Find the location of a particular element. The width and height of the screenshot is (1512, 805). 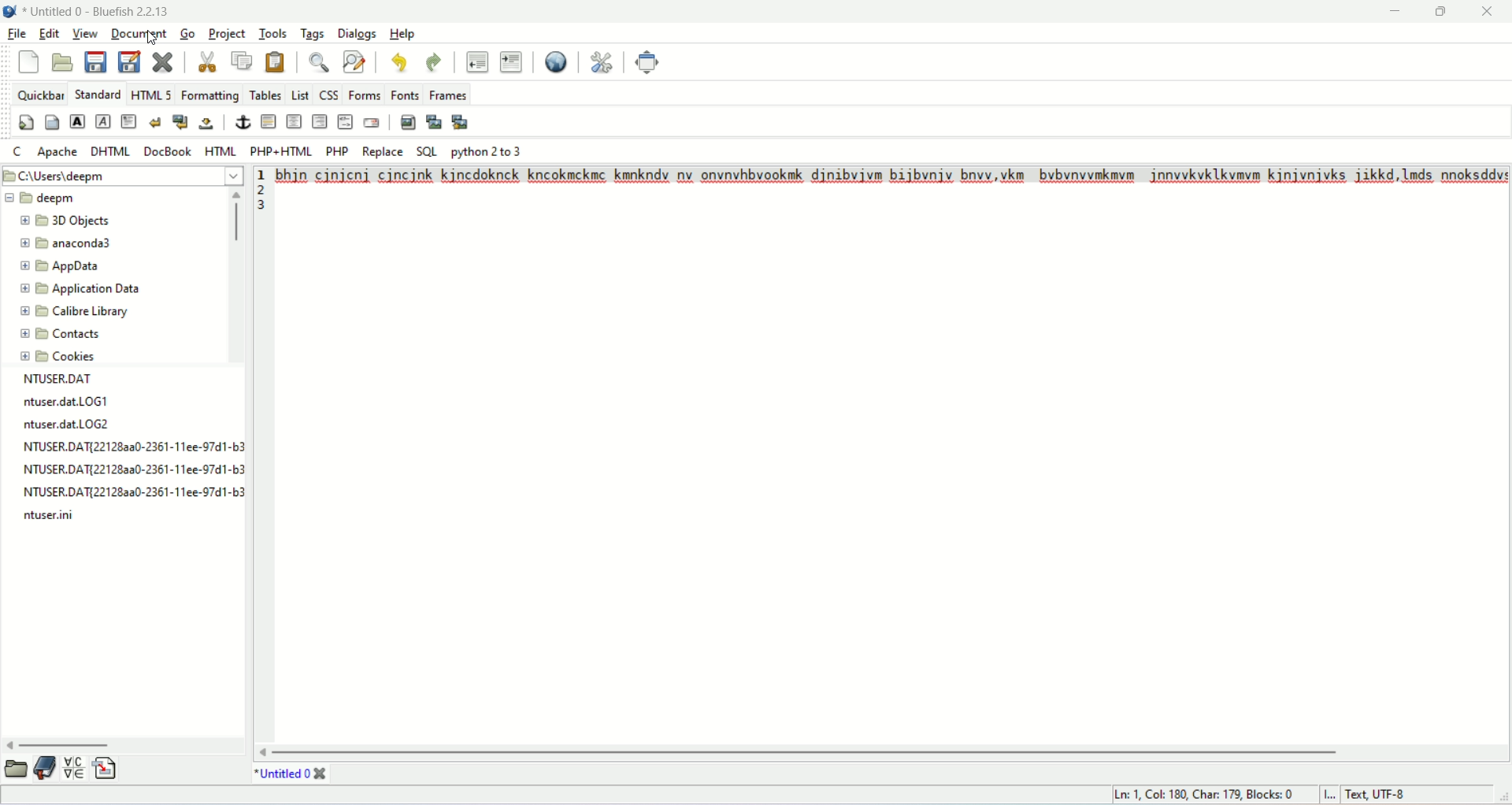

Text is located at coordinates (892, 179).